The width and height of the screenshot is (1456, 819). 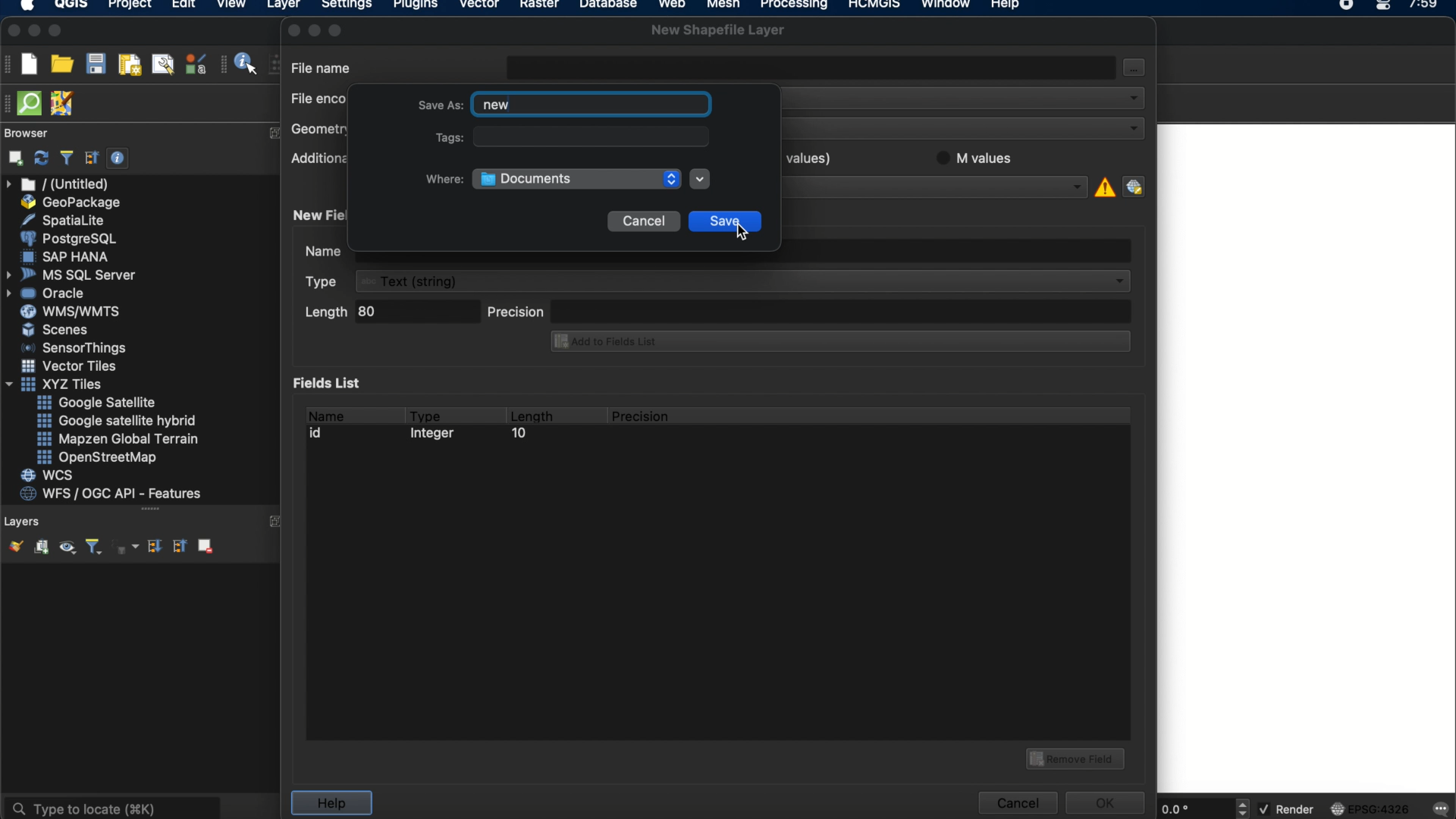 What do you see at coordinates (1077, 187) in the screenshot?
I see `dropdown` at bounding box center [1077, 187].